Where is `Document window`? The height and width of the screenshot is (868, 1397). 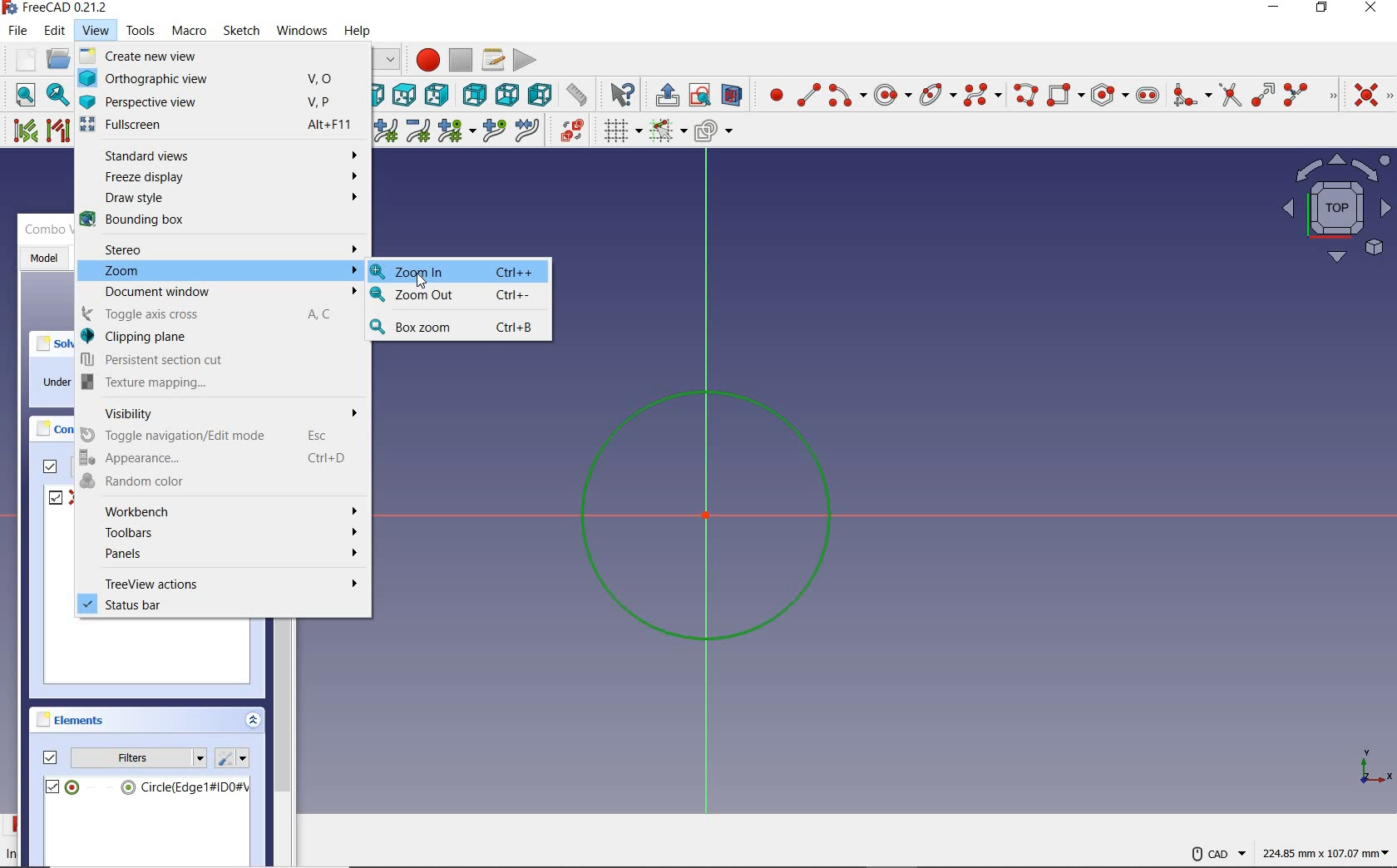 Document window is located at coordinates (156, 292).